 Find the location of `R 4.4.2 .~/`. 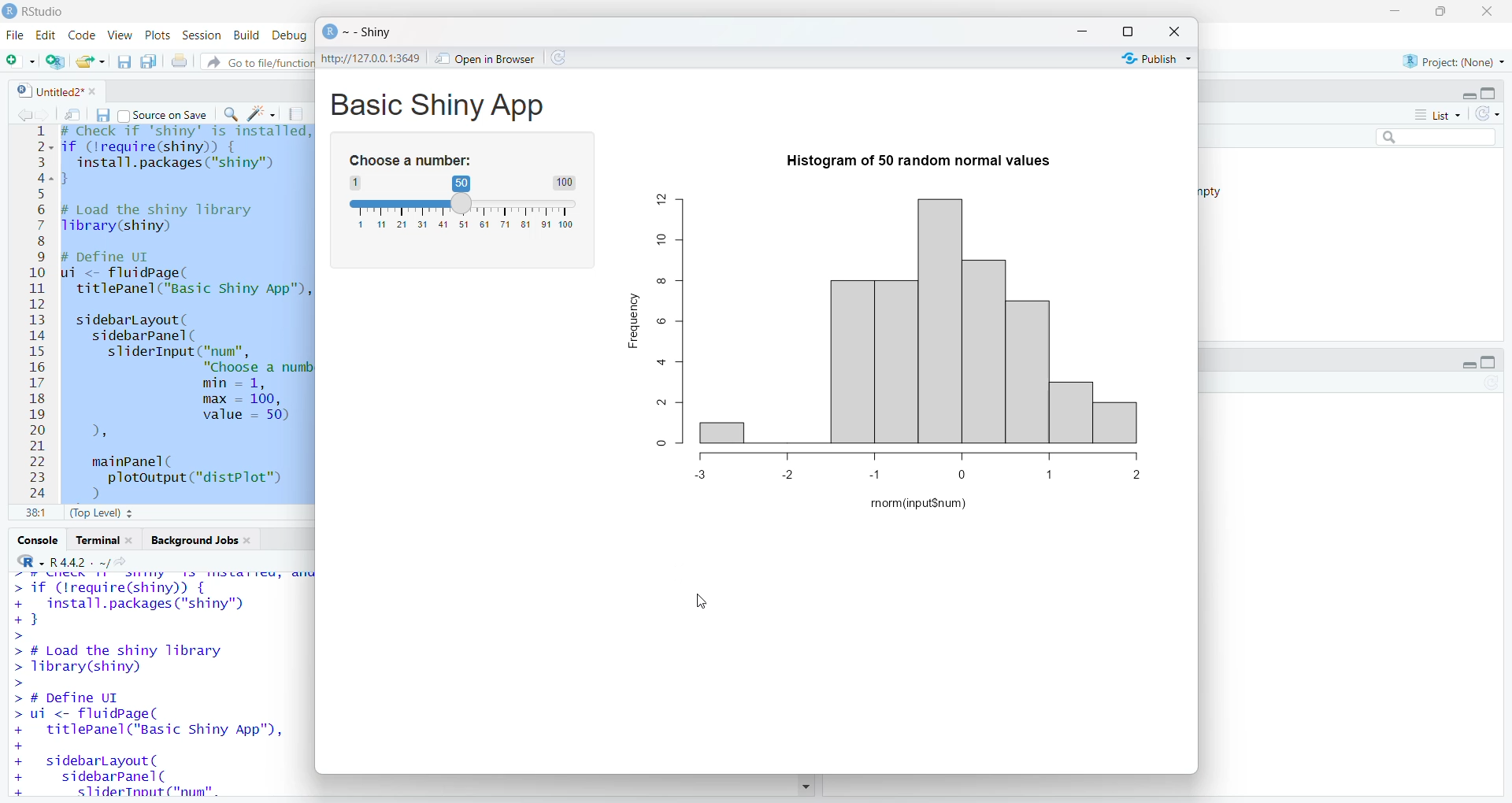

R 4.4.2 .~/ is located at coordinates (93, 563).